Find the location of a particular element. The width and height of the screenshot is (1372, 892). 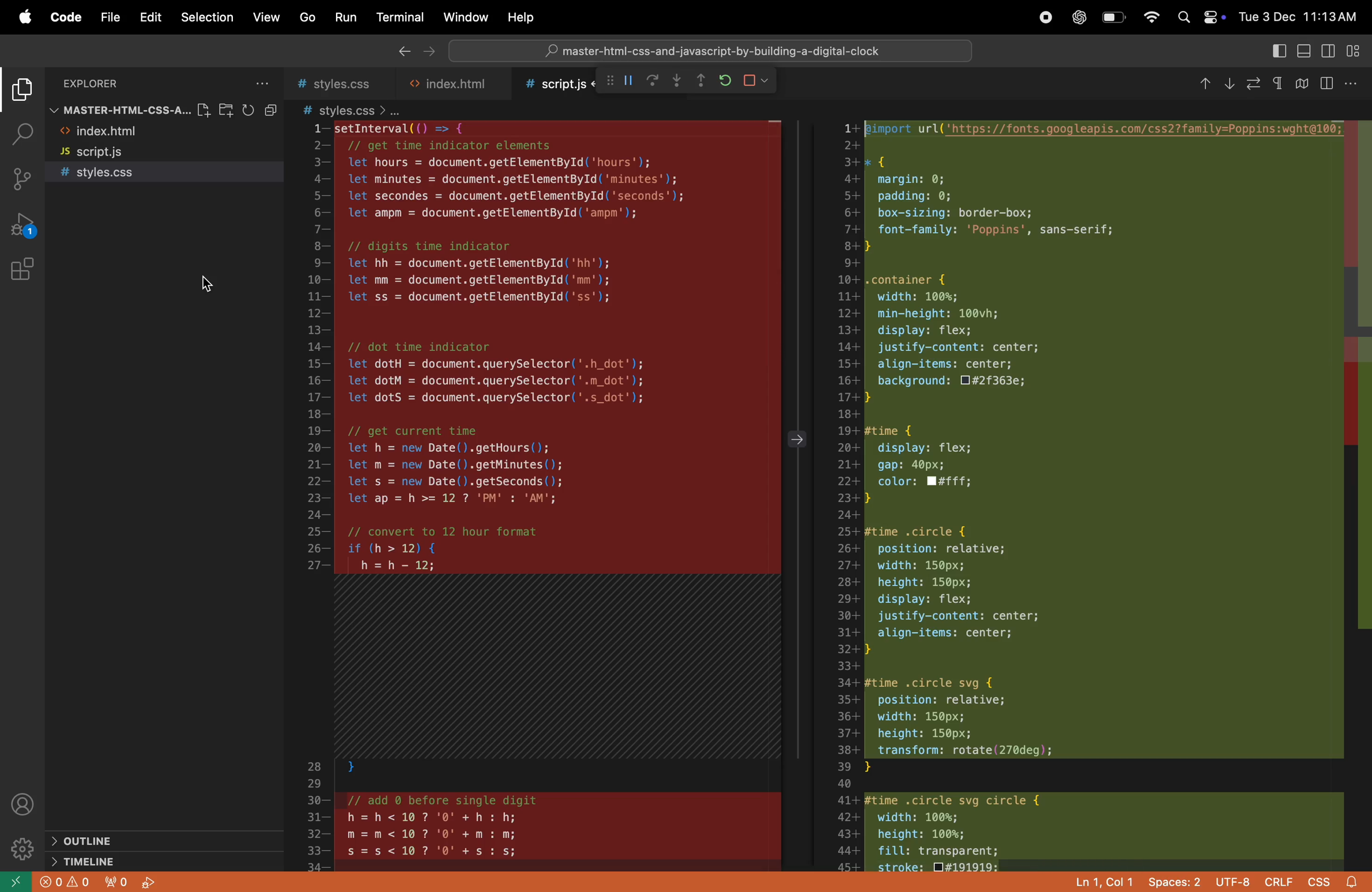

style css is located at coordinates (350, 109).